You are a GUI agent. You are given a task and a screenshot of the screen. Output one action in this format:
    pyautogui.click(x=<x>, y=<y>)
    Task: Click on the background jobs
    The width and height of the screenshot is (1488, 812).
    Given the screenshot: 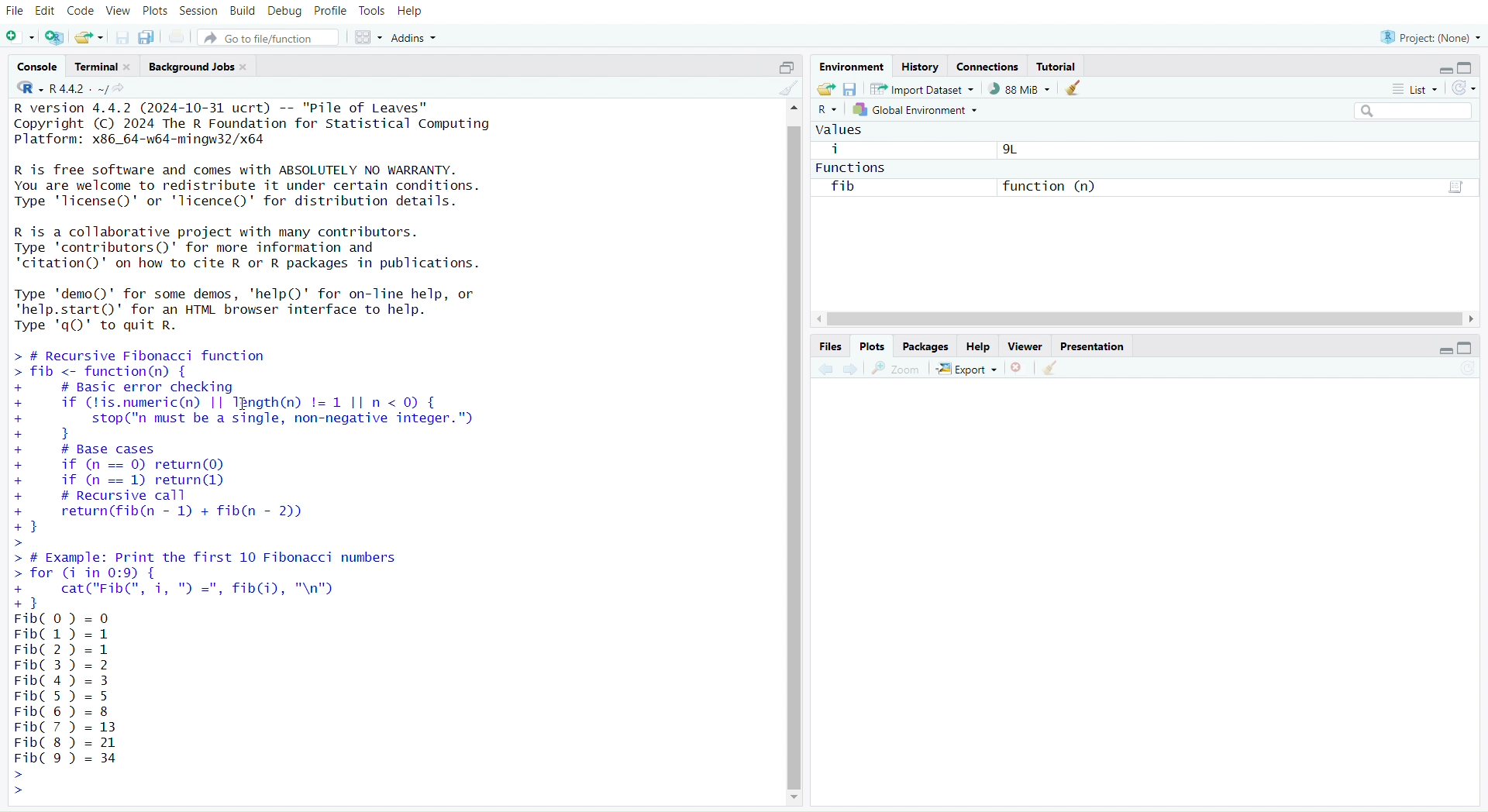 What is the action you would take?
    pyautogui.click(x=199, y=68)
    